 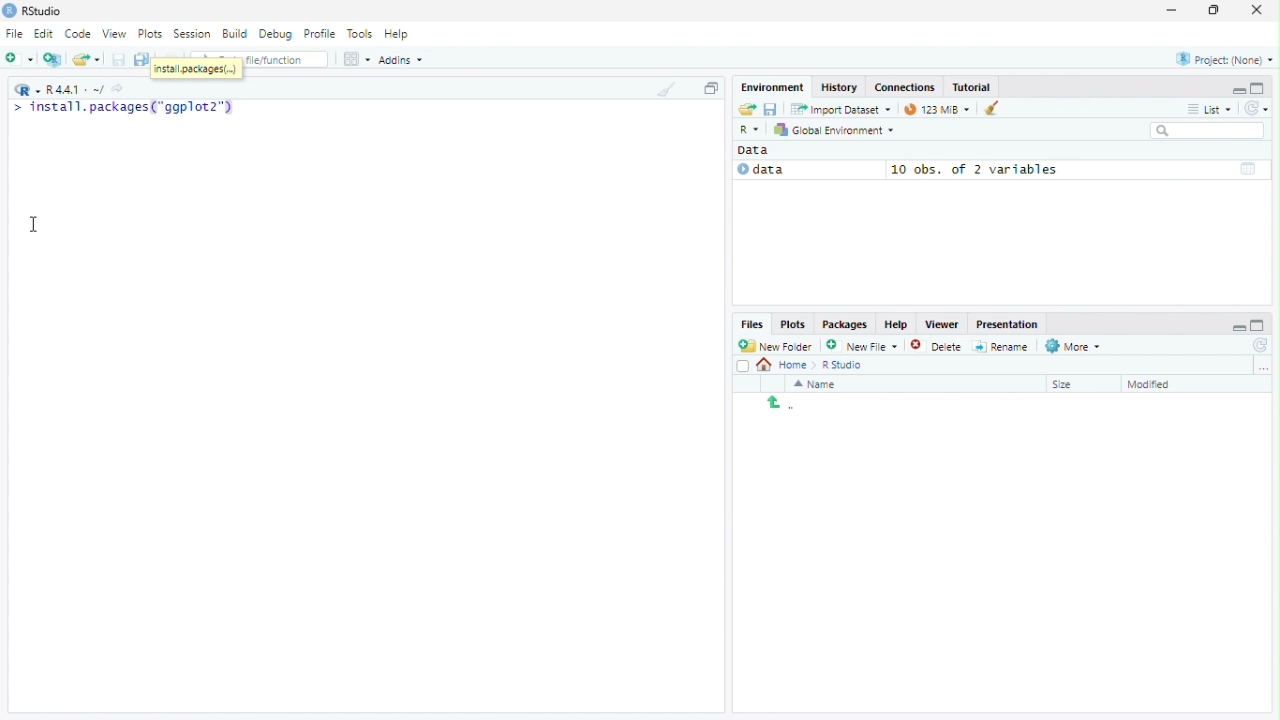 I want to click on Logo, so click(x=9, y=11).